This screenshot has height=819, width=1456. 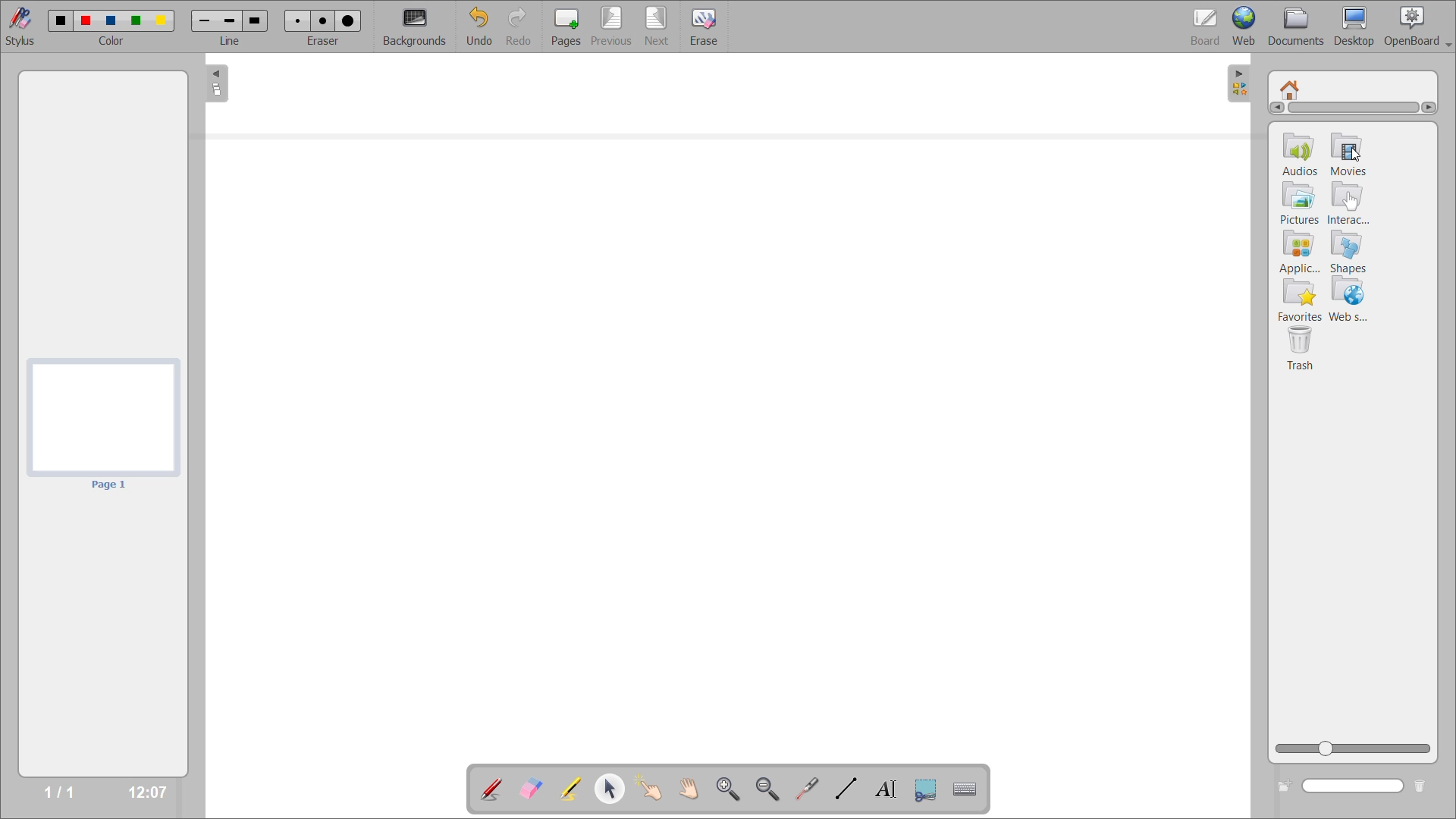 What do you see at coordinates (326, 42) in the screenshot?
I see `eraser ` at bounding box center [326, 42].